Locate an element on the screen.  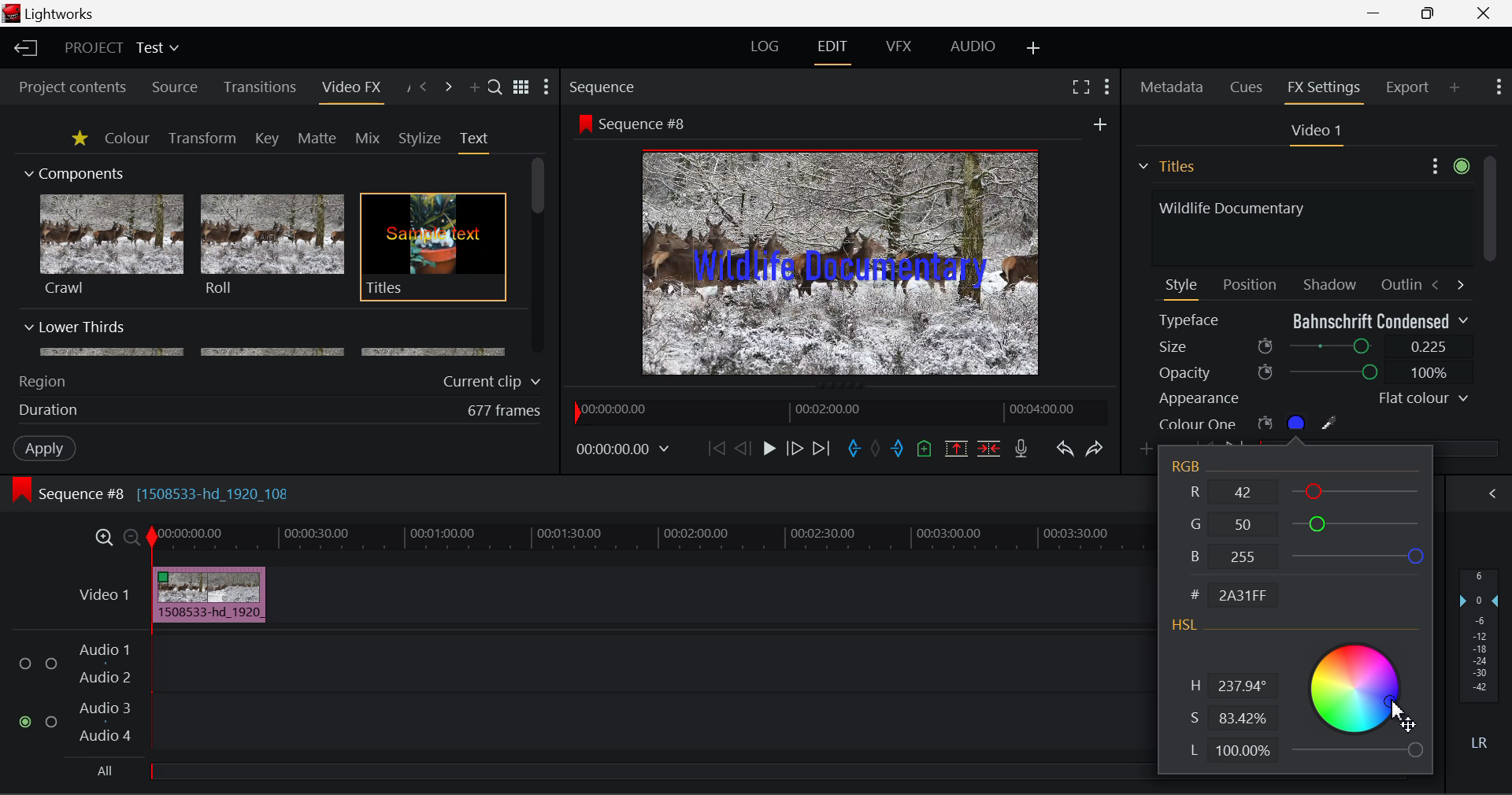
Play is located at coordinates (769, 448).